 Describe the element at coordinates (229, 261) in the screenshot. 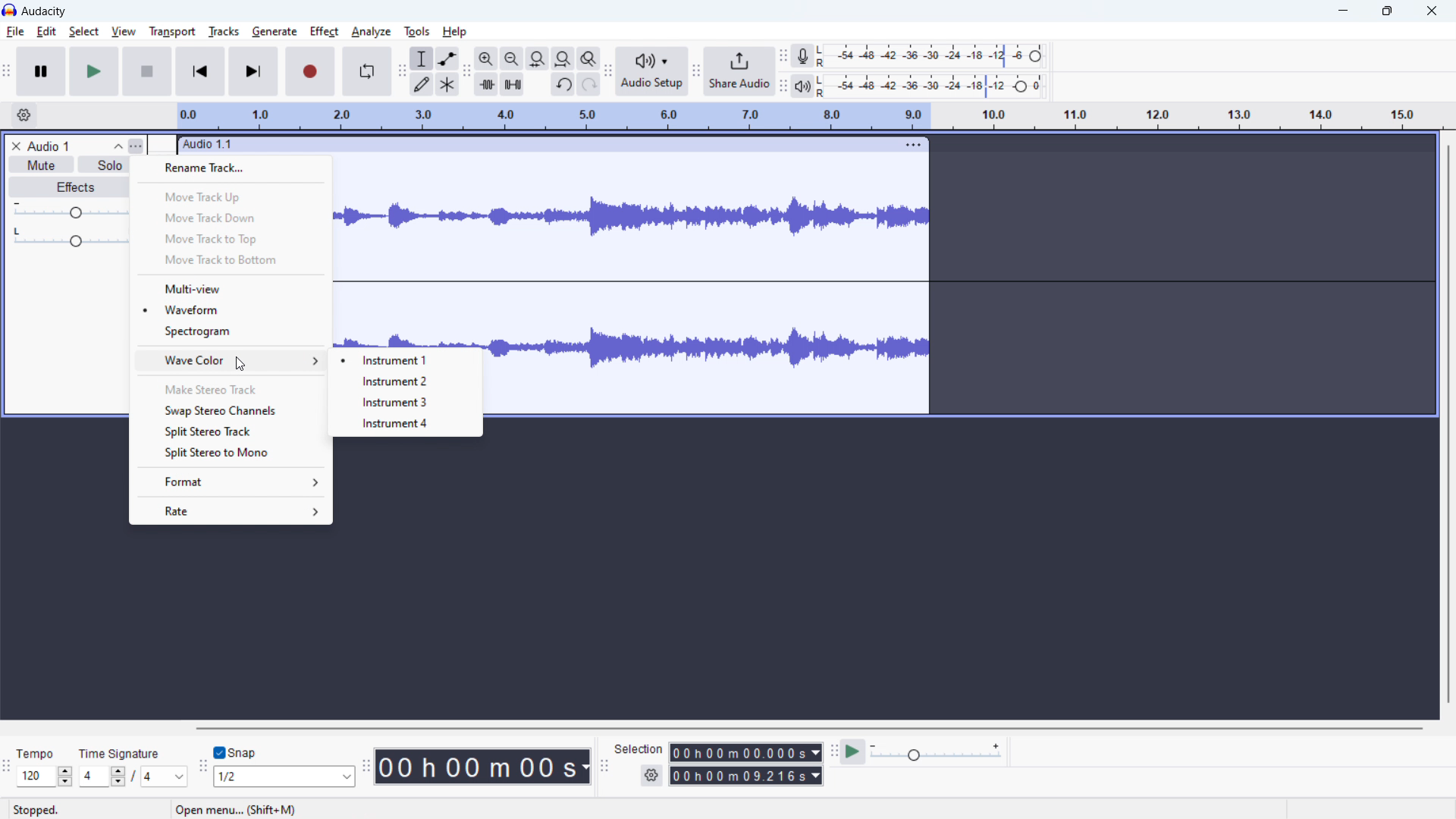

I see `move track to bottom` at that location.